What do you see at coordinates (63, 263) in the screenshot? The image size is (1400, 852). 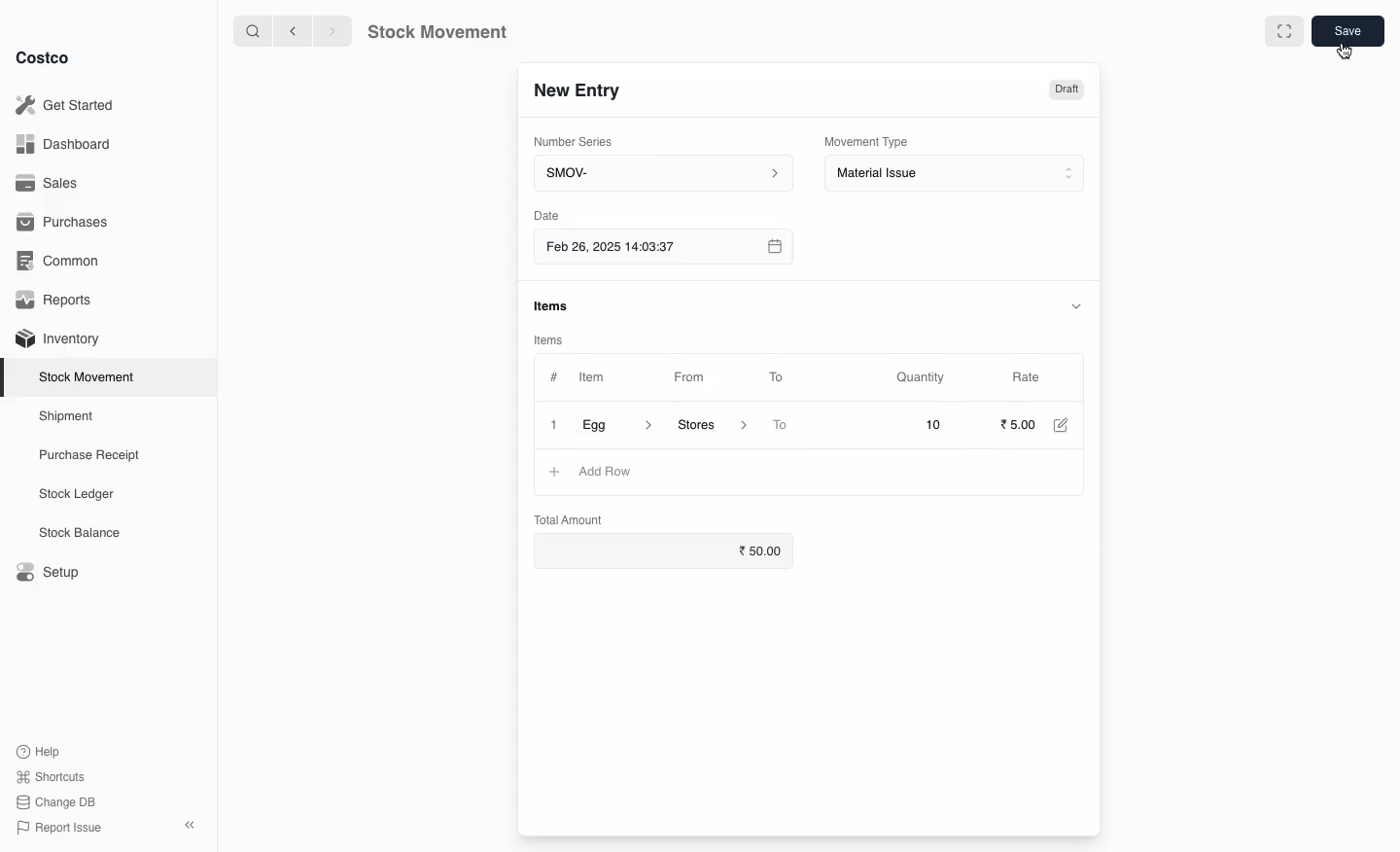 I see `Common` at bounding box center [63, 263].